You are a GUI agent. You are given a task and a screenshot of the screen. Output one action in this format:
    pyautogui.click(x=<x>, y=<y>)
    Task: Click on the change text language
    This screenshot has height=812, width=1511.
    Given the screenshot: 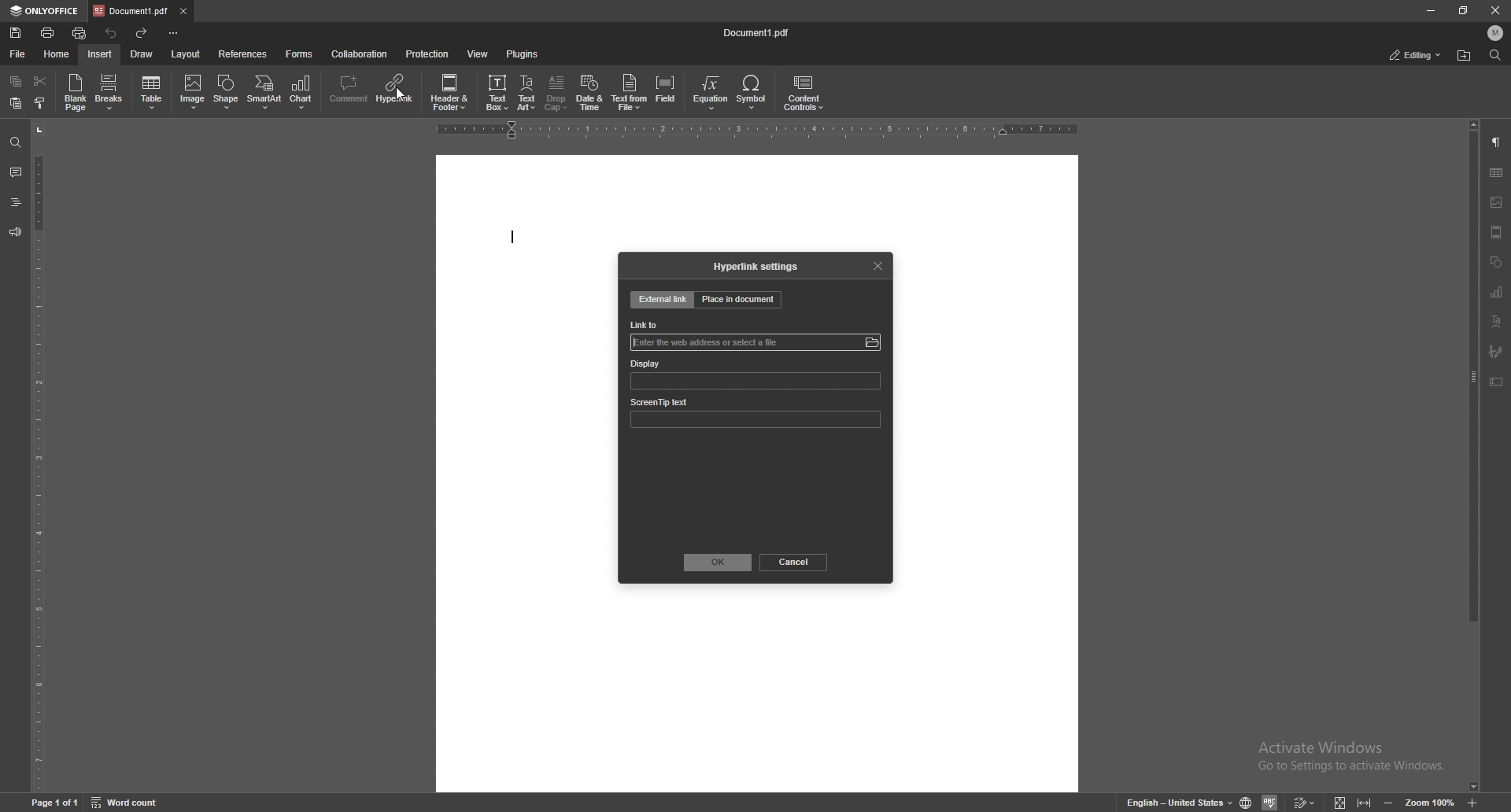 What is the action you would take?
    pyautogui.click(x=1180, y=802)
    